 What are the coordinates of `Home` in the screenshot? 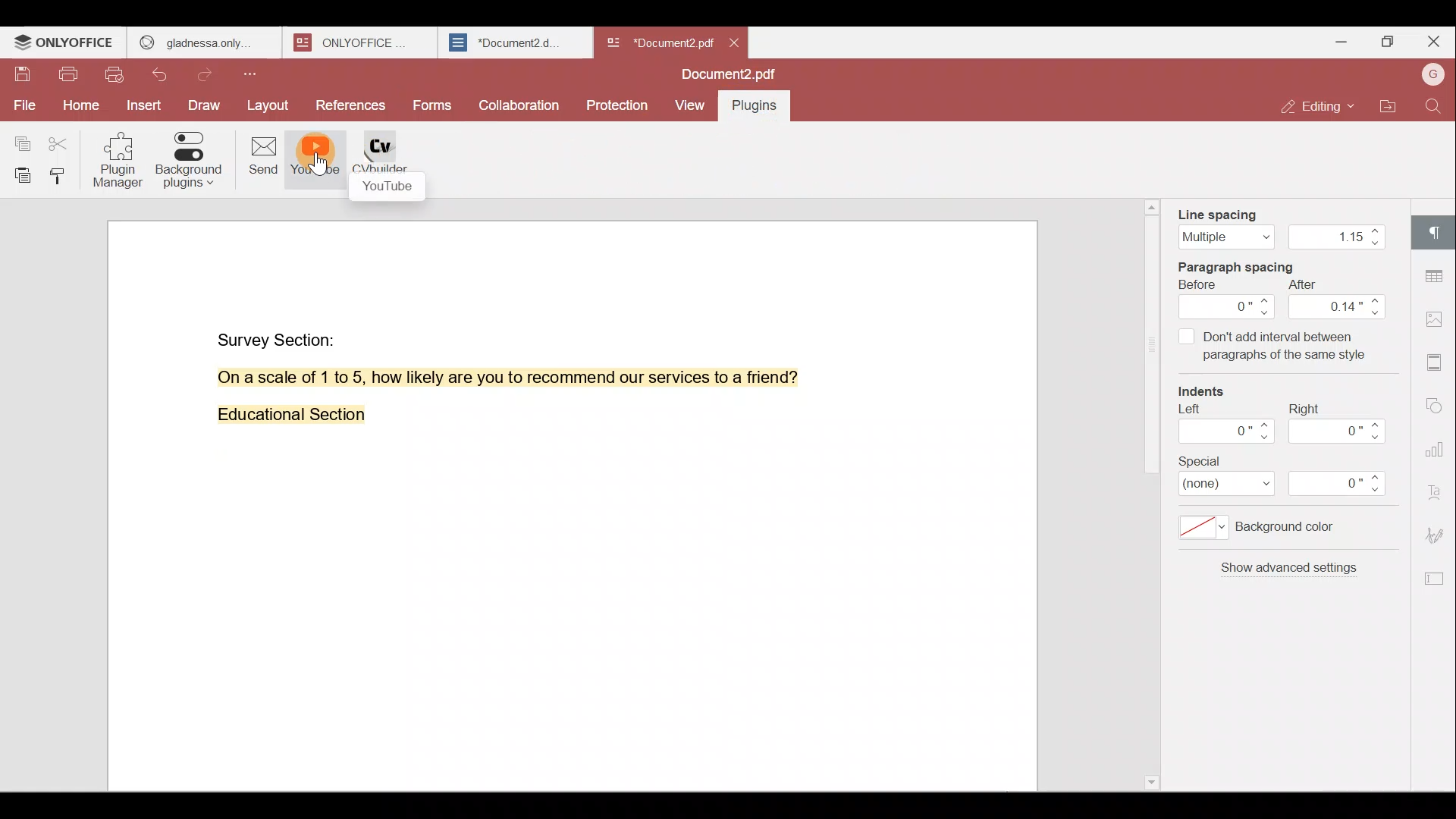 It's located at (78, 108).